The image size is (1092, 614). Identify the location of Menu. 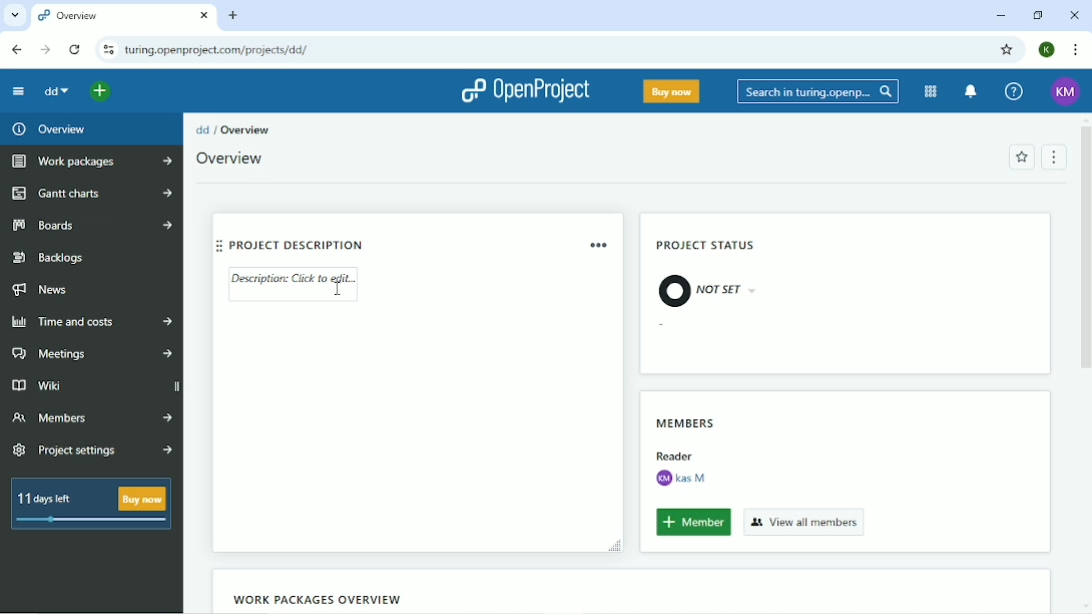
(1055, 156).